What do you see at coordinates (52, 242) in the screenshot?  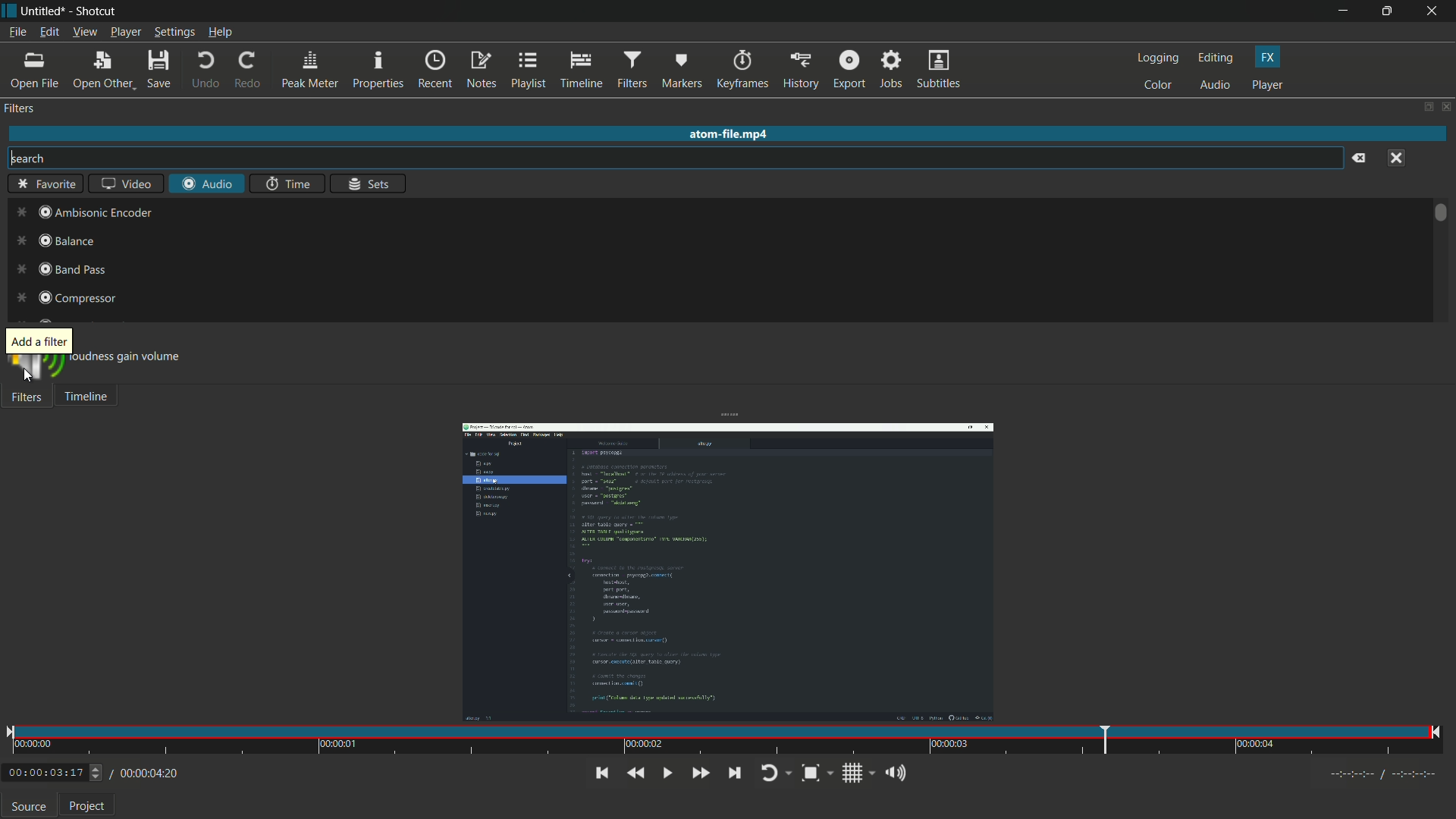 I see `balance` at bounding box center [52, 242].